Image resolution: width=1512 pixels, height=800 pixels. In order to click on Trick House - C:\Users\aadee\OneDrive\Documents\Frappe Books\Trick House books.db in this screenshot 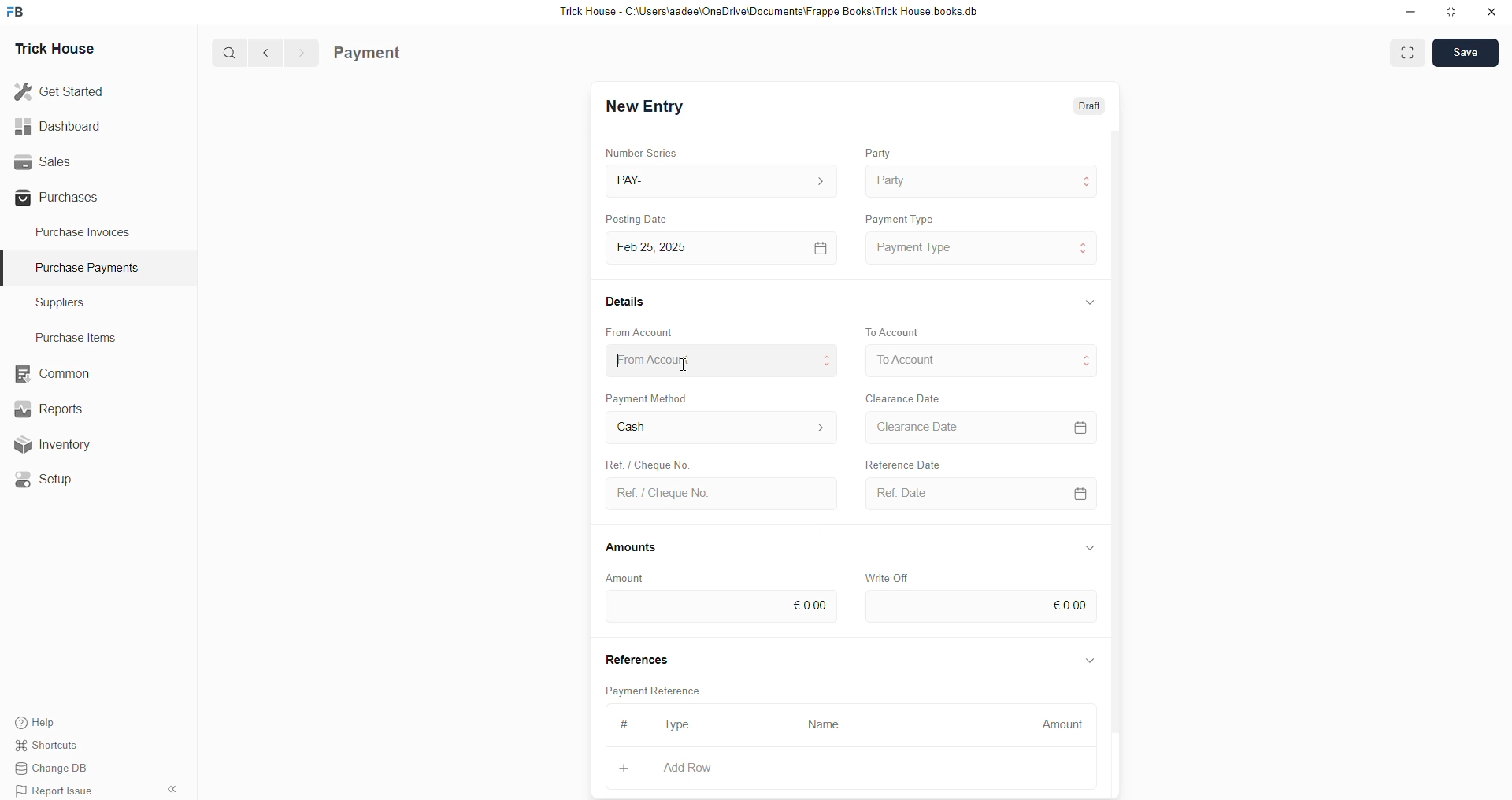, I will do `click(772, 12)`.